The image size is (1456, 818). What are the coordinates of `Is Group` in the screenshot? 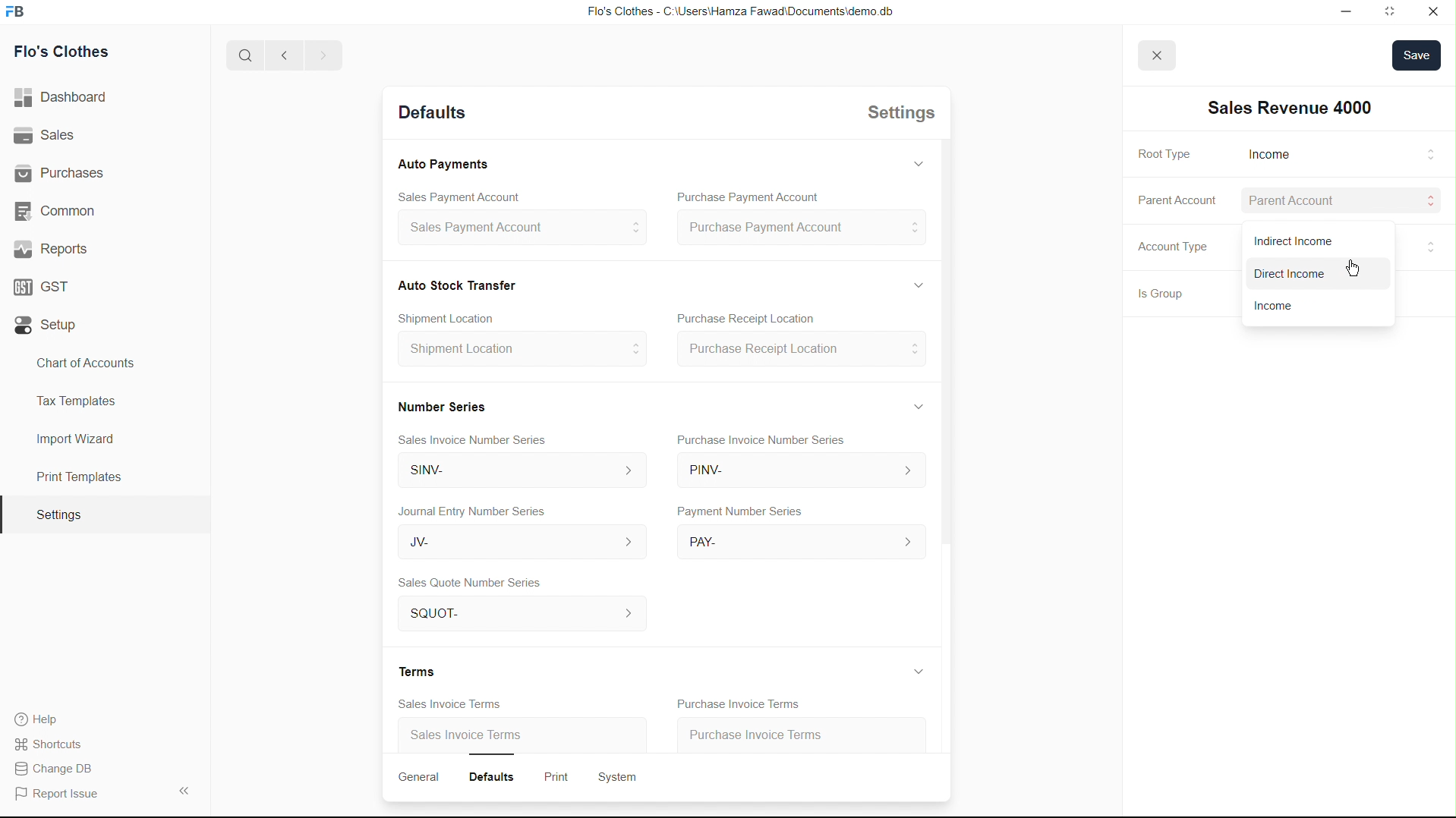 It's located at (1154, 296).